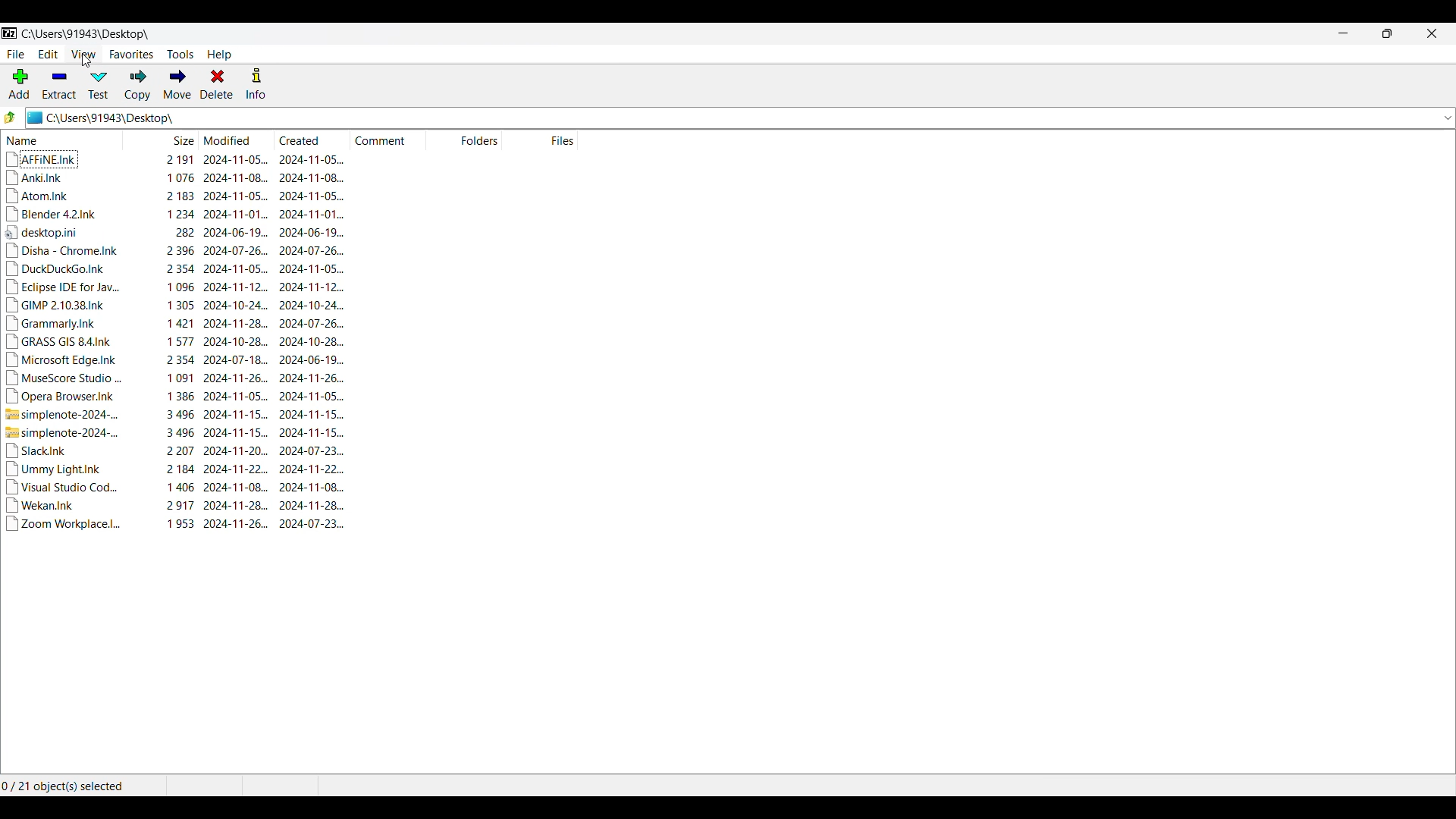 Image resolution: width=1456 pixels, height=819 pixels. I want to click on List previous location, so click(1448, 118).